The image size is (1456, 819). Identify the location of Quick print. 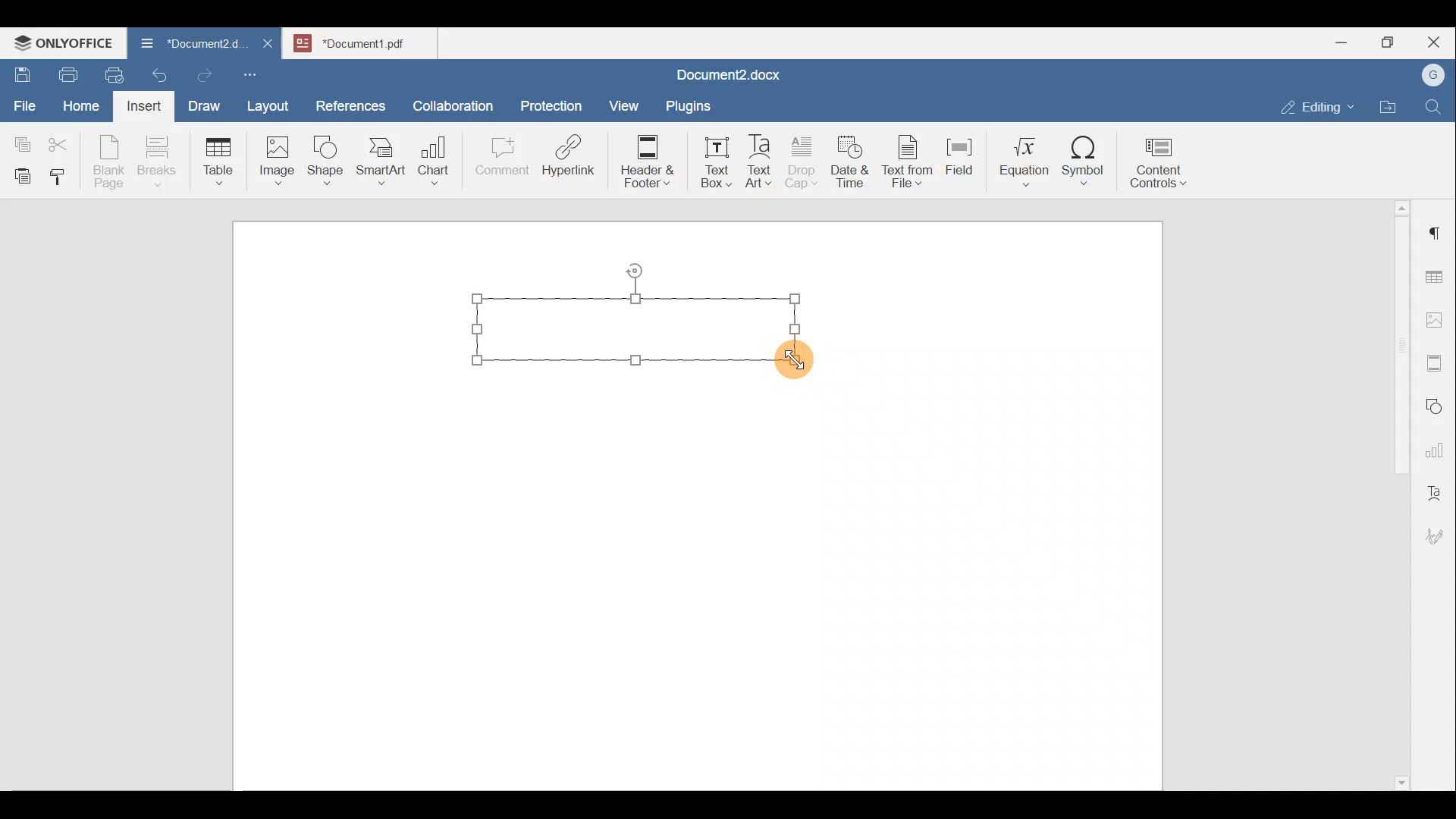
(110, 73).